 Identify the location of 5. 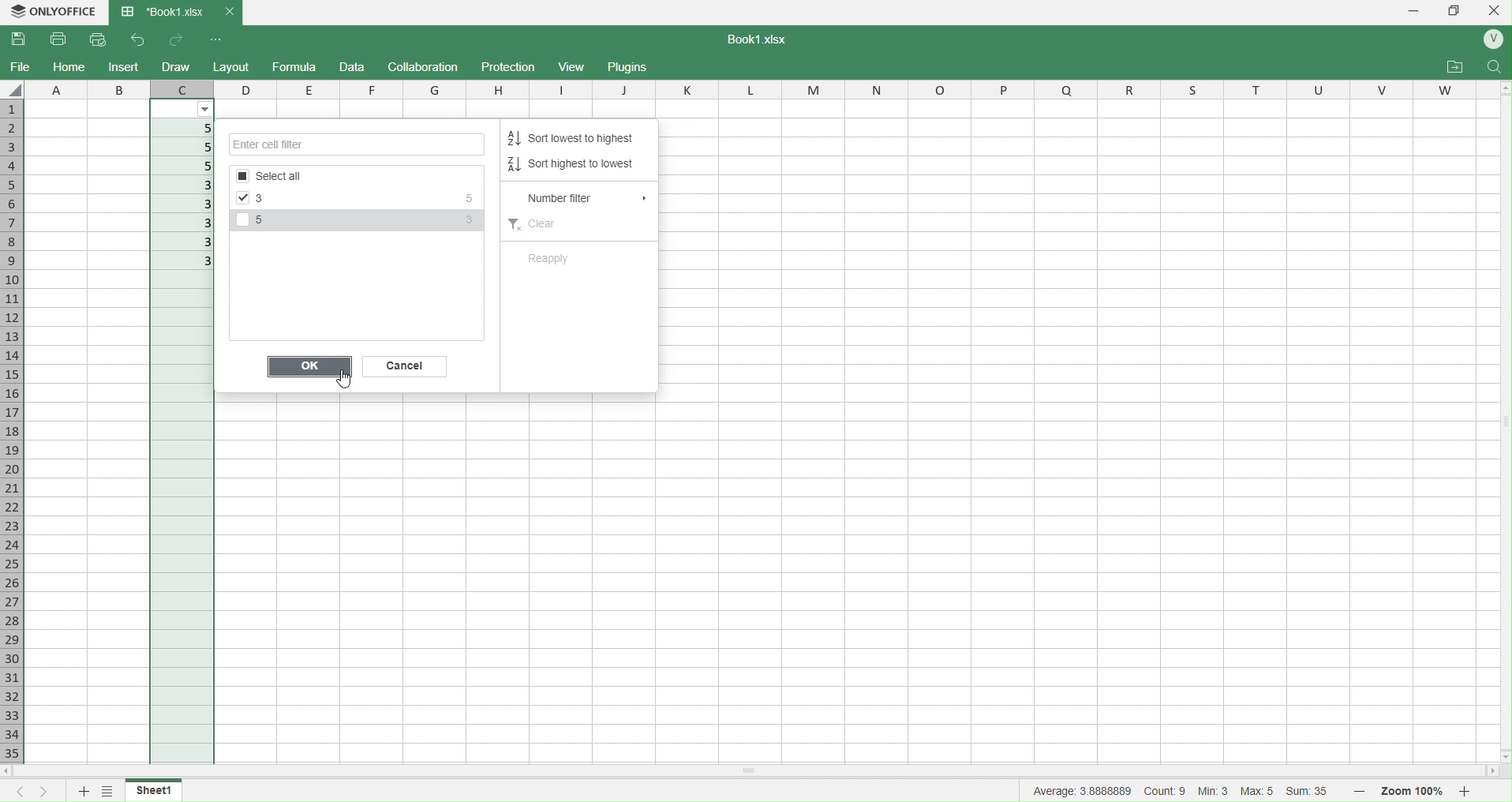
(267, 222).